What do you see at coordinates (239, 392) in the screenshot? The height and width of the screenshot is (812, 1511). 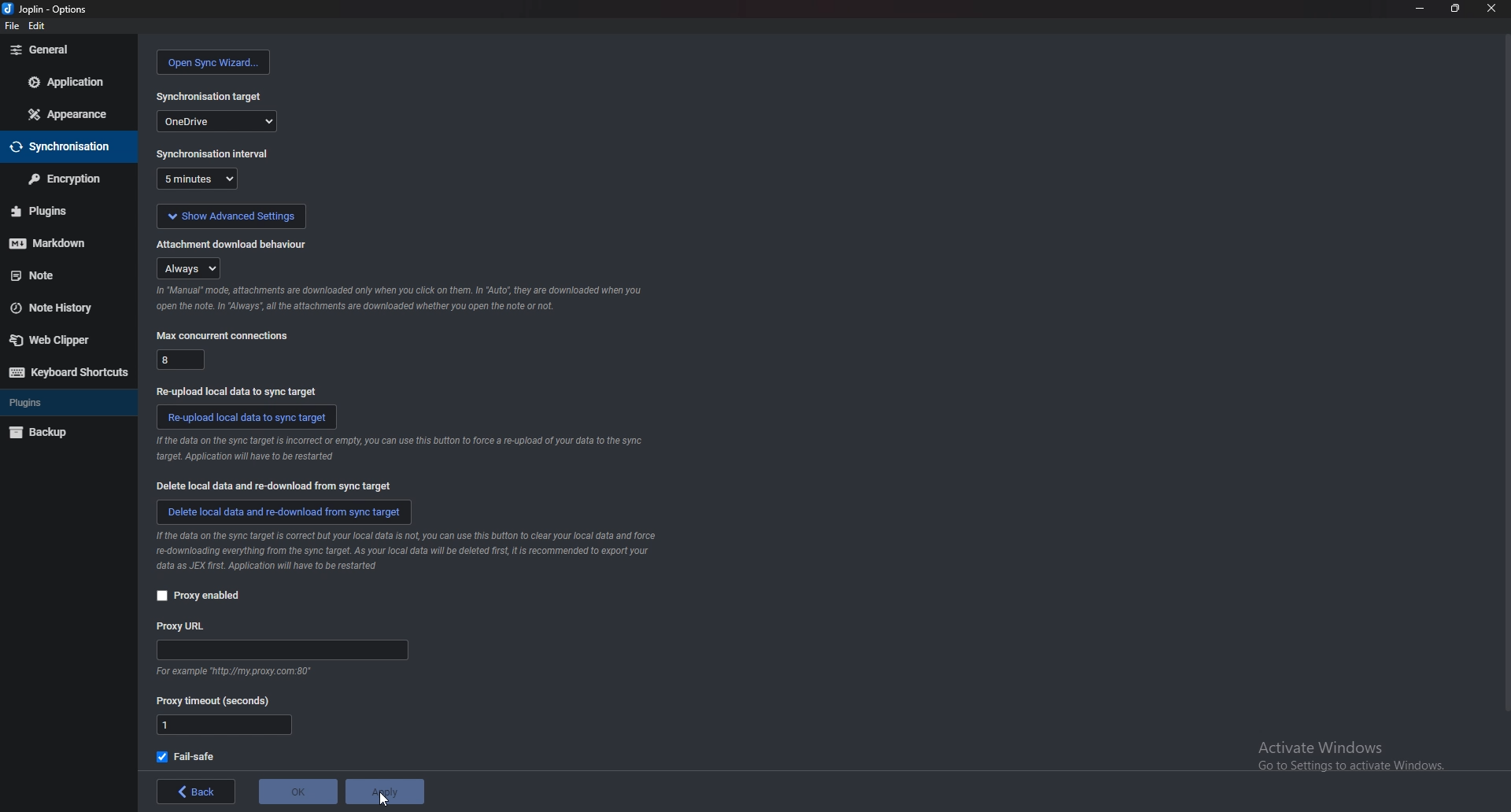 I see `reupload local disk` at bounding box center [239, 392].